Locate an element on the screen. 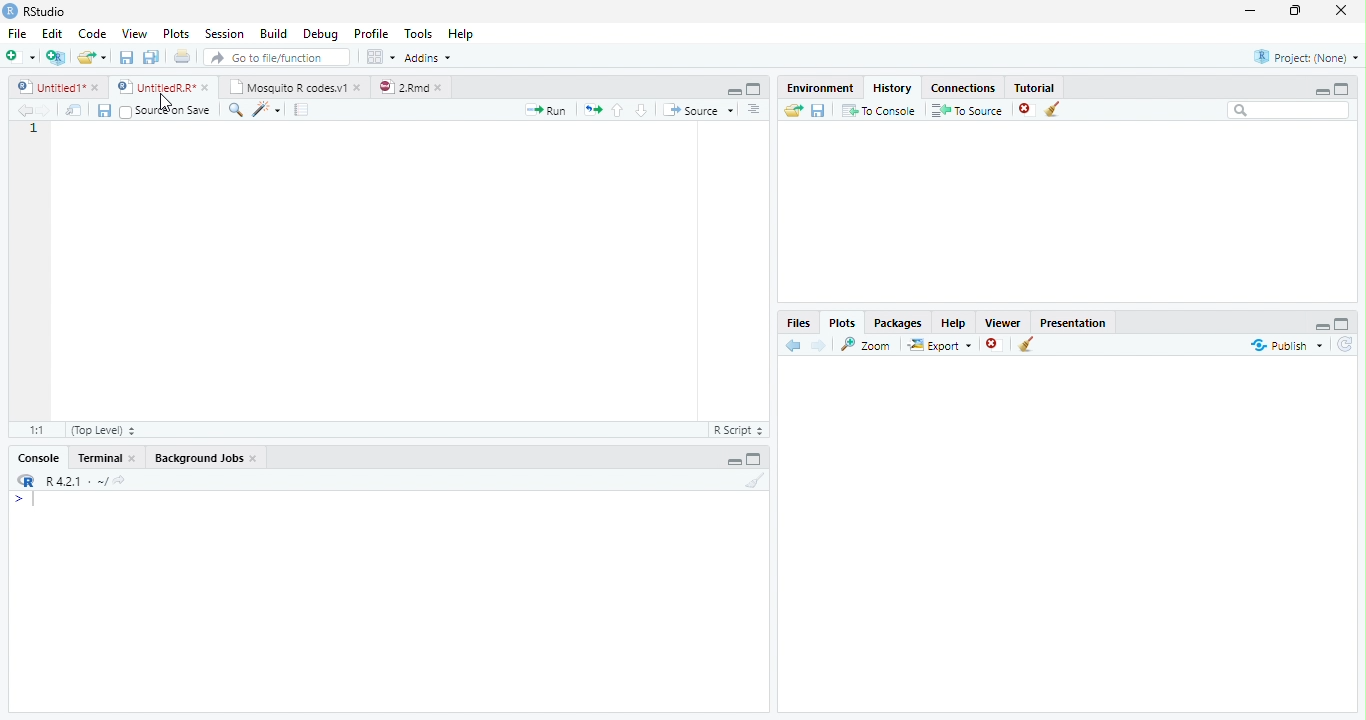 This screenshot has height=720, width=1366. Open an existing file is located at coordinates (92, 57).